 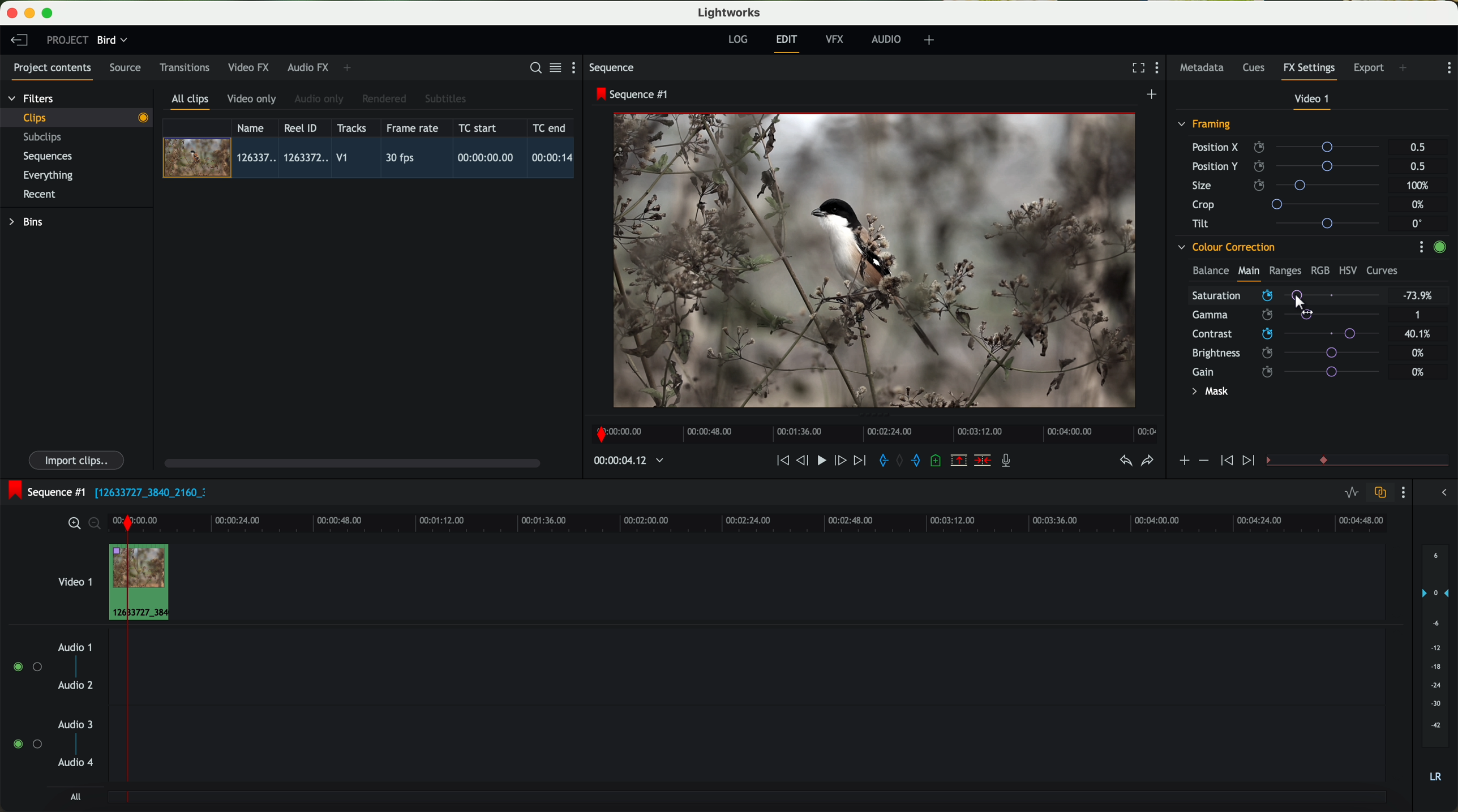 What do you see at coordinates (821, 459) in the screenshot?
I see `play` at bounding box center [821, 459].